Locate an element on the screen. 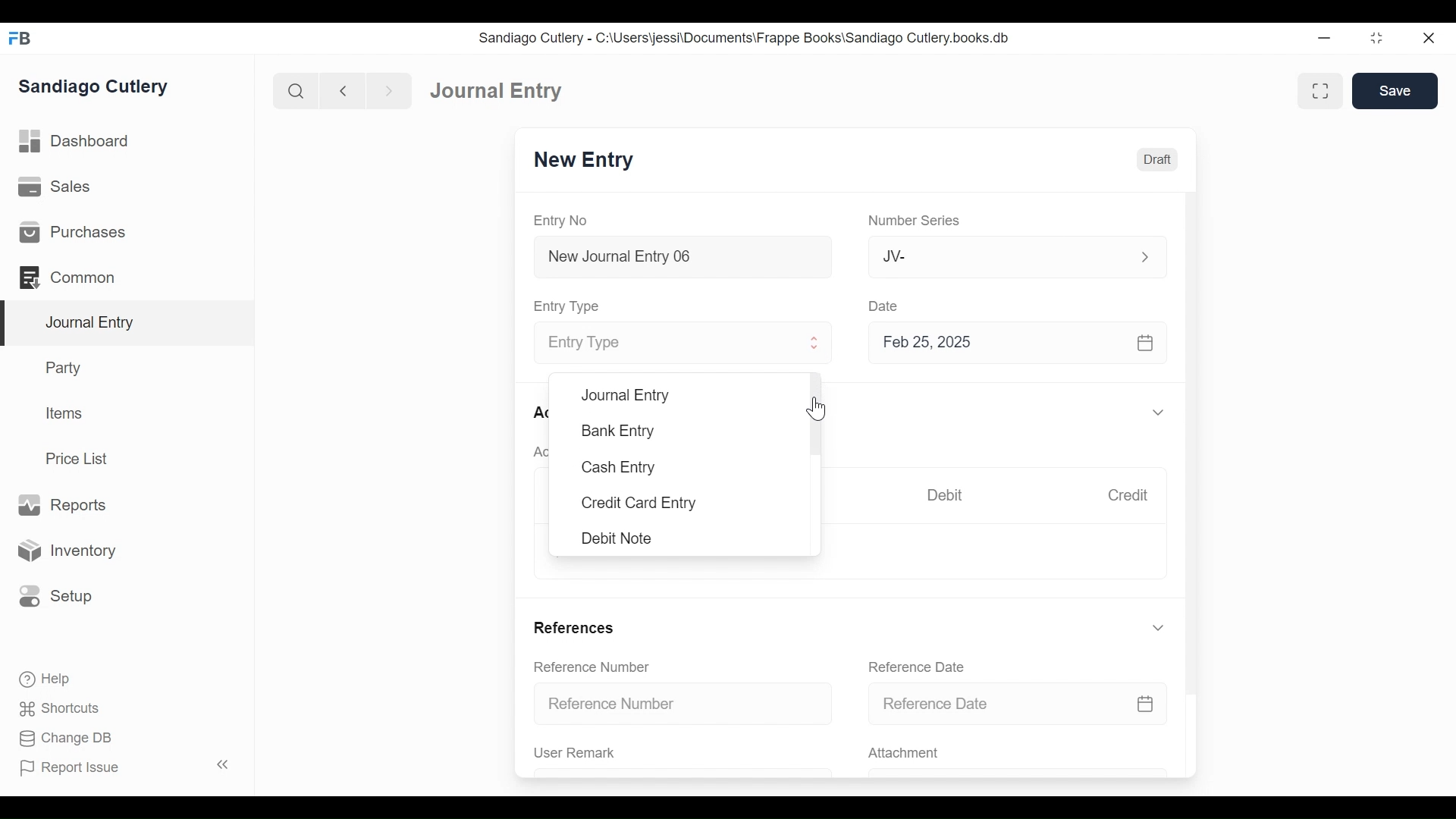  Reference Date is located at coordinates (915, 667).